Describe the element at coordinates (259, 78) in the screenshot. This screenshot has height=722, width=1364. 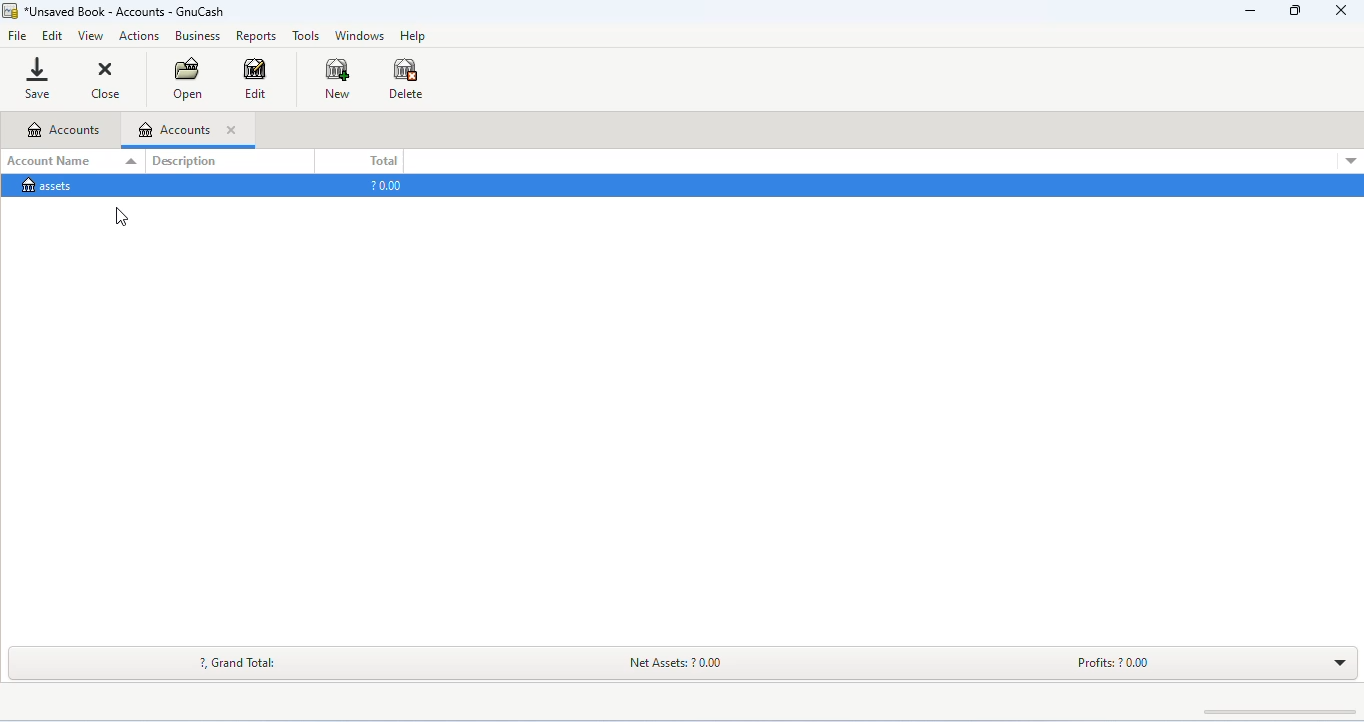
I see `edit` at that location.